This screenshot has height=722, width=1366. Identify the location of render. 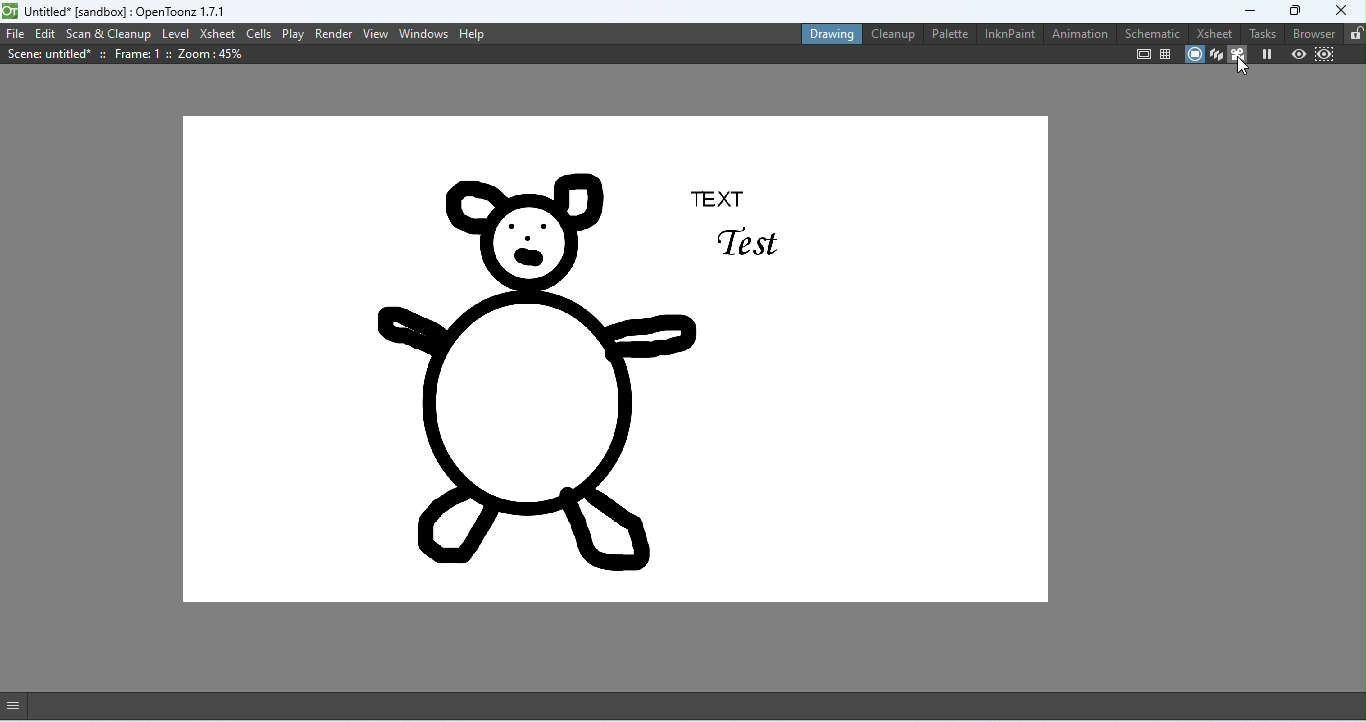
(334, 33).